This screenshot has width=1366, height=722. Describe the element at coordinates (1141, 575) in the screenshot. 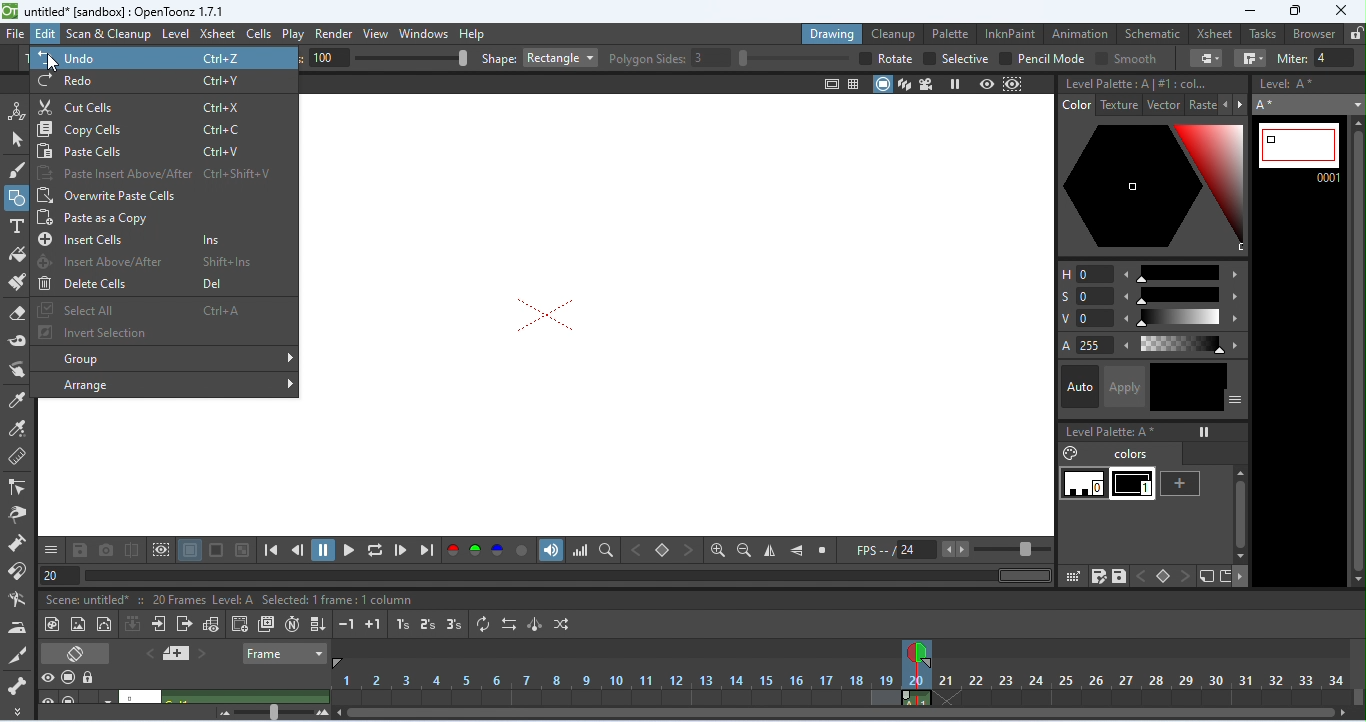

I see `previous key` at that location.